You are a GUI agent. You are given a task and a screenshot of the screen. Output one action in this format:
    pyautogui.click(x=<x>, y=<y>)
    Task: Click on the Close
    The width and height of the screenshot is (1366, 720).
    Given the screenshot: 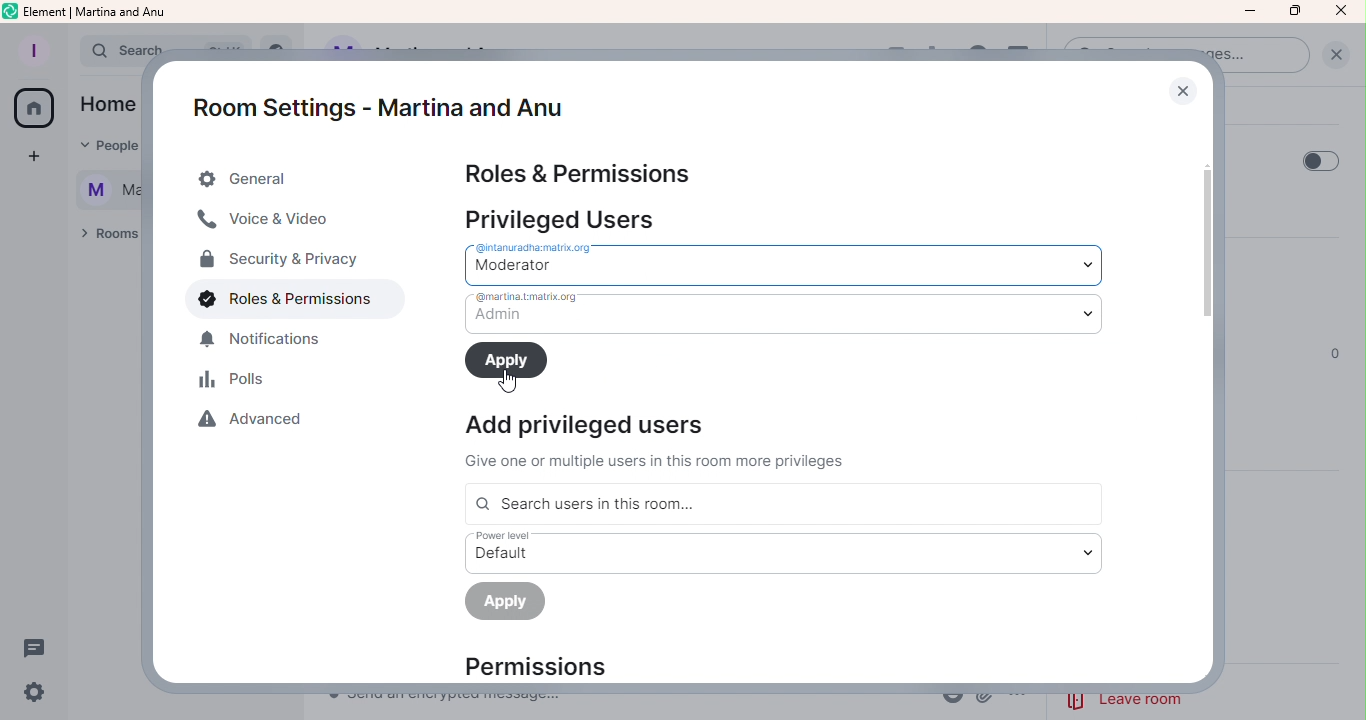 What is the action you would take?
    pyautogui.click(x=1182, y=90)
    